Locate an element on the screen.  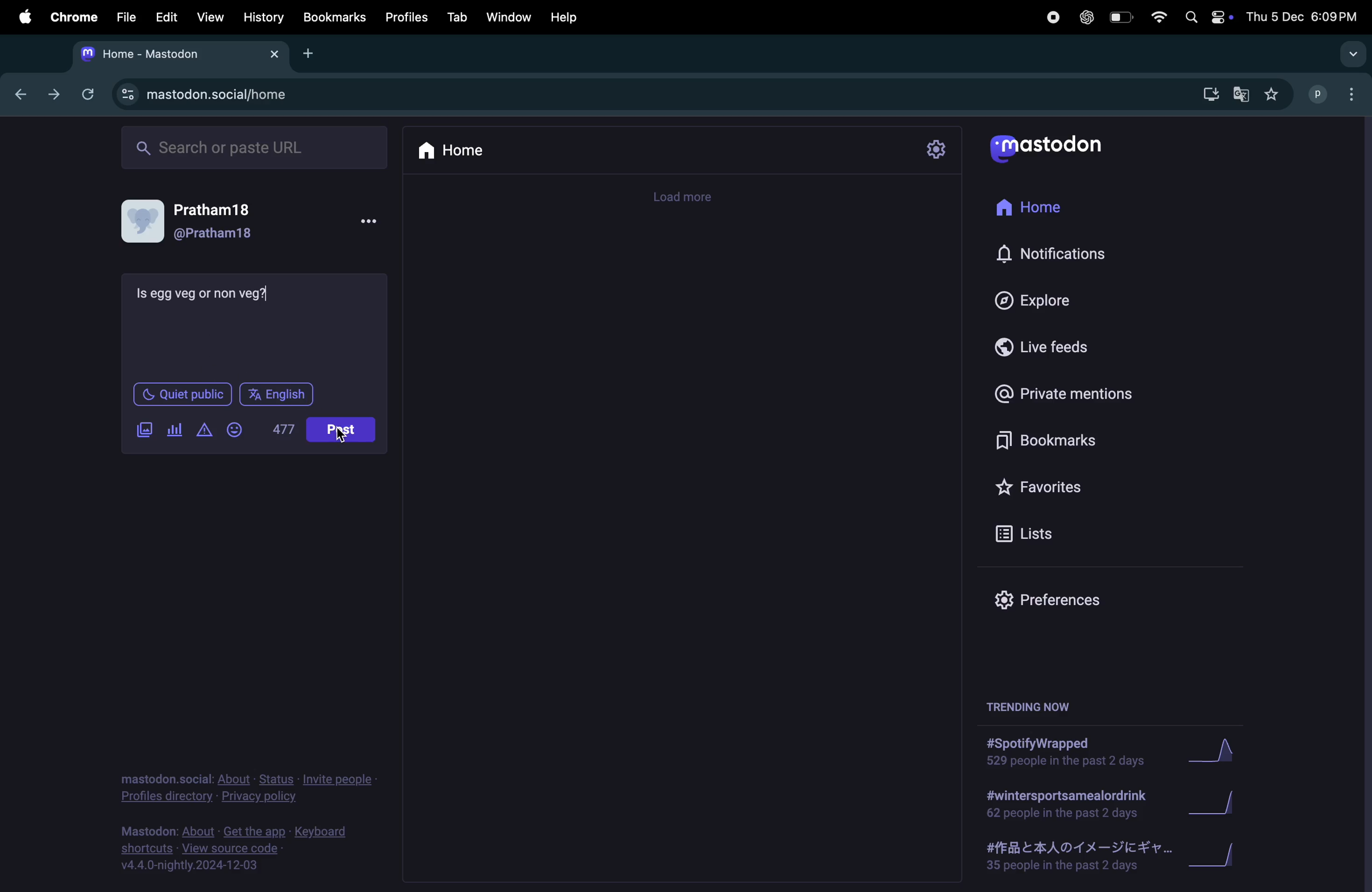
trending now is located at coordinates (1034, 701).